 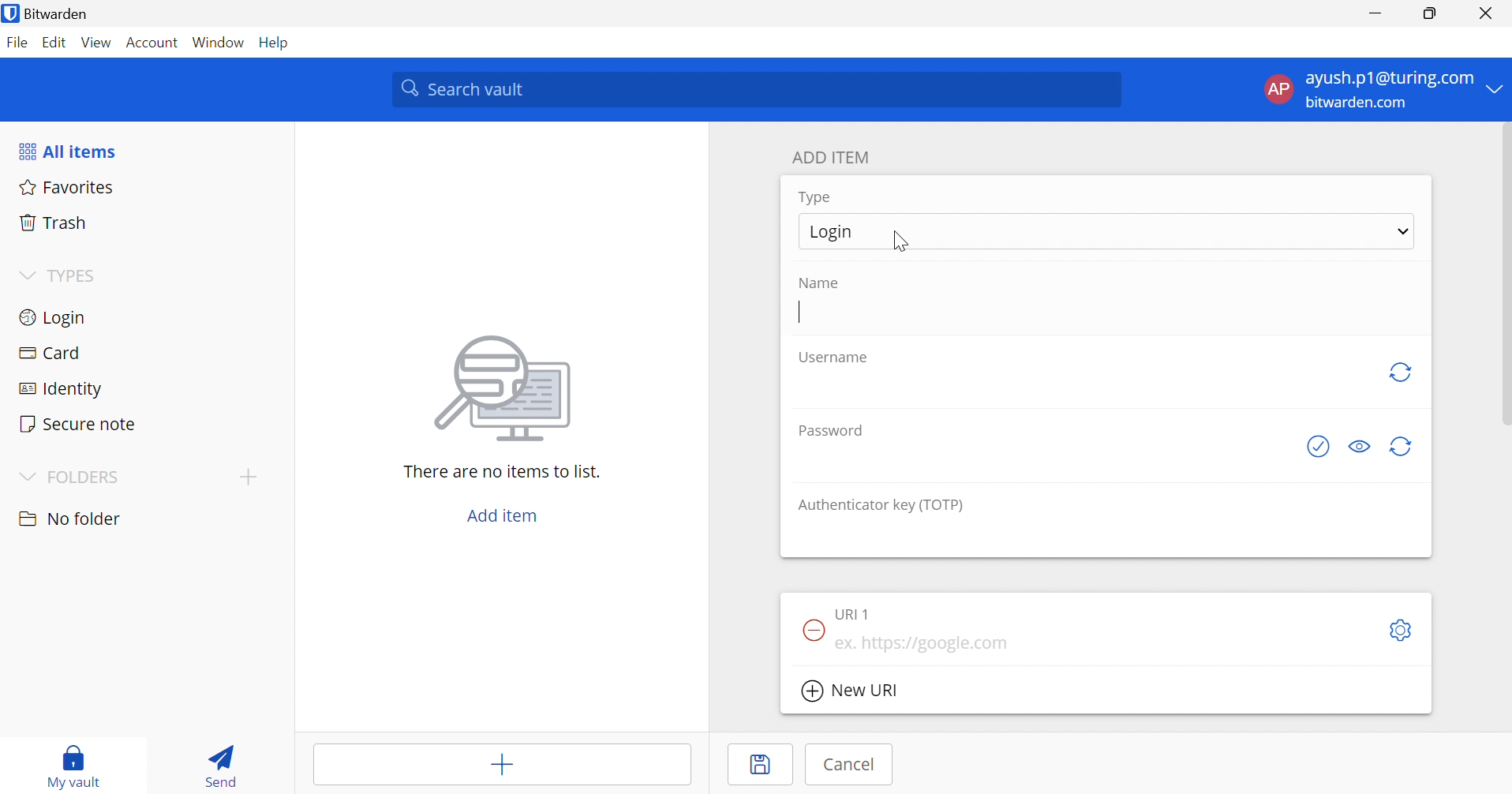 What do you see at coordinates (219, 43) in the screenshot?
I see `Window` at bounding box center [219, 43].